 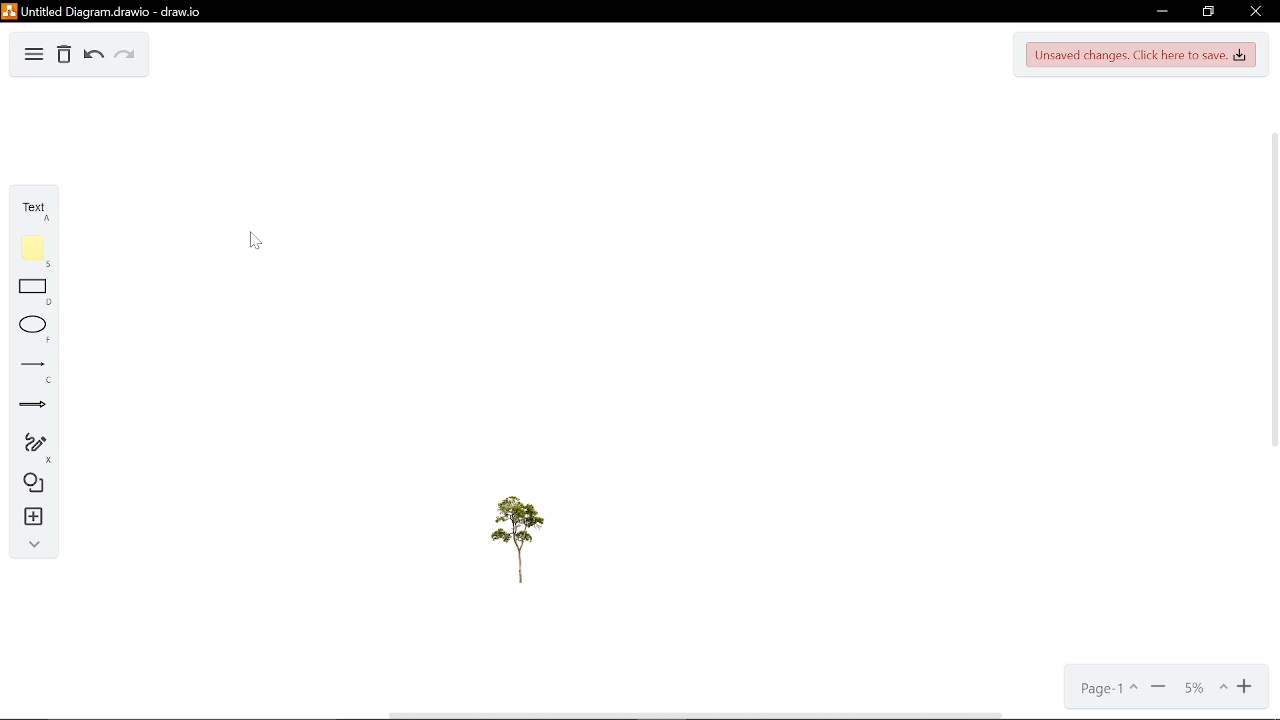 What do you see at coordinates (29, 328) in the screenshot?
I see `Ellipse` at bounding box center [29, 328].